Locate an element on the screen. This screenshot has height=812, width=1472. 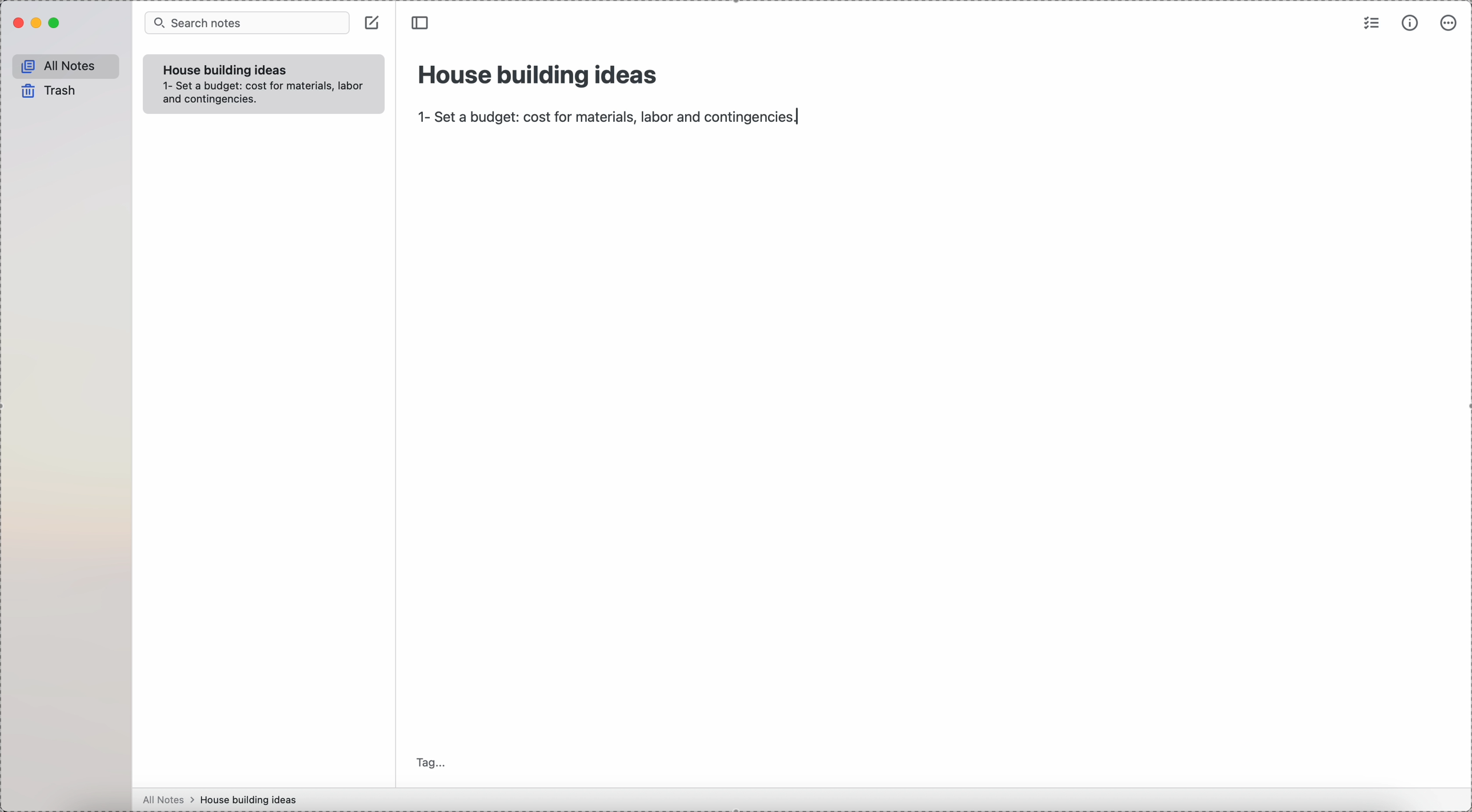
all notes is located at coordinates (169, 800).